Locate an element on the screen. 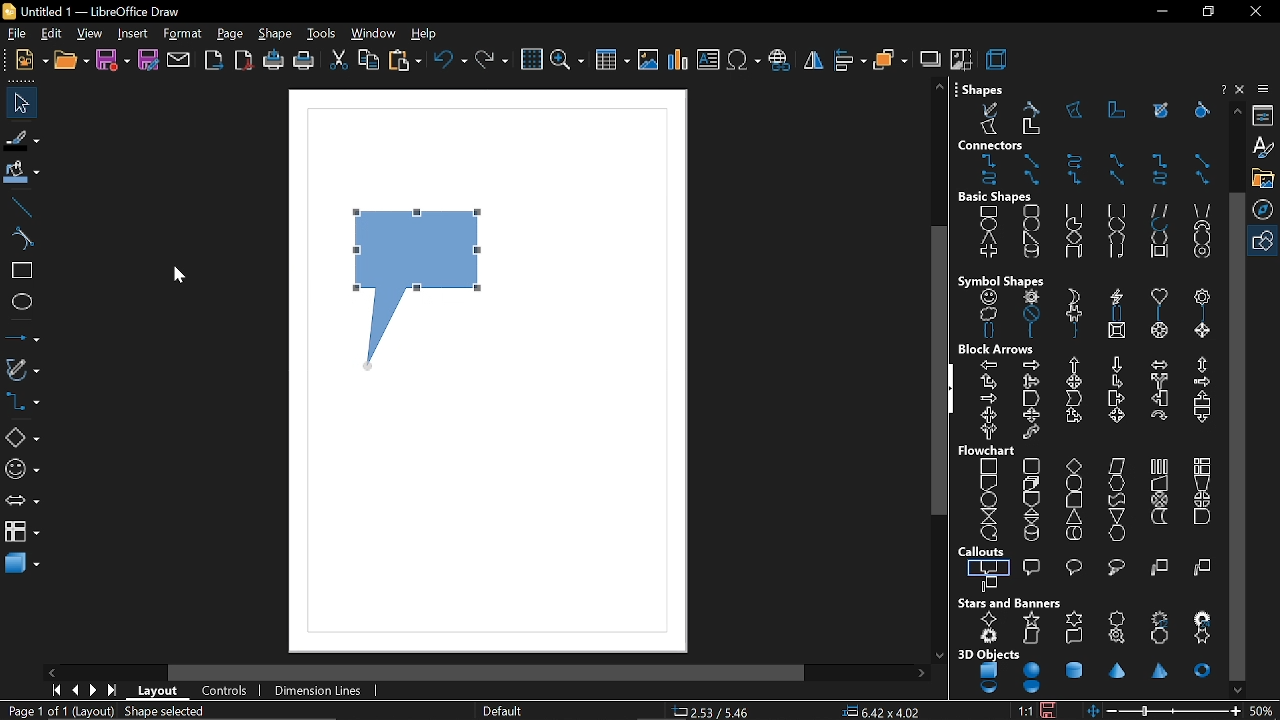 The width and height of the screenshot is (1280, 720). display is located at coordinates (1117, 533).